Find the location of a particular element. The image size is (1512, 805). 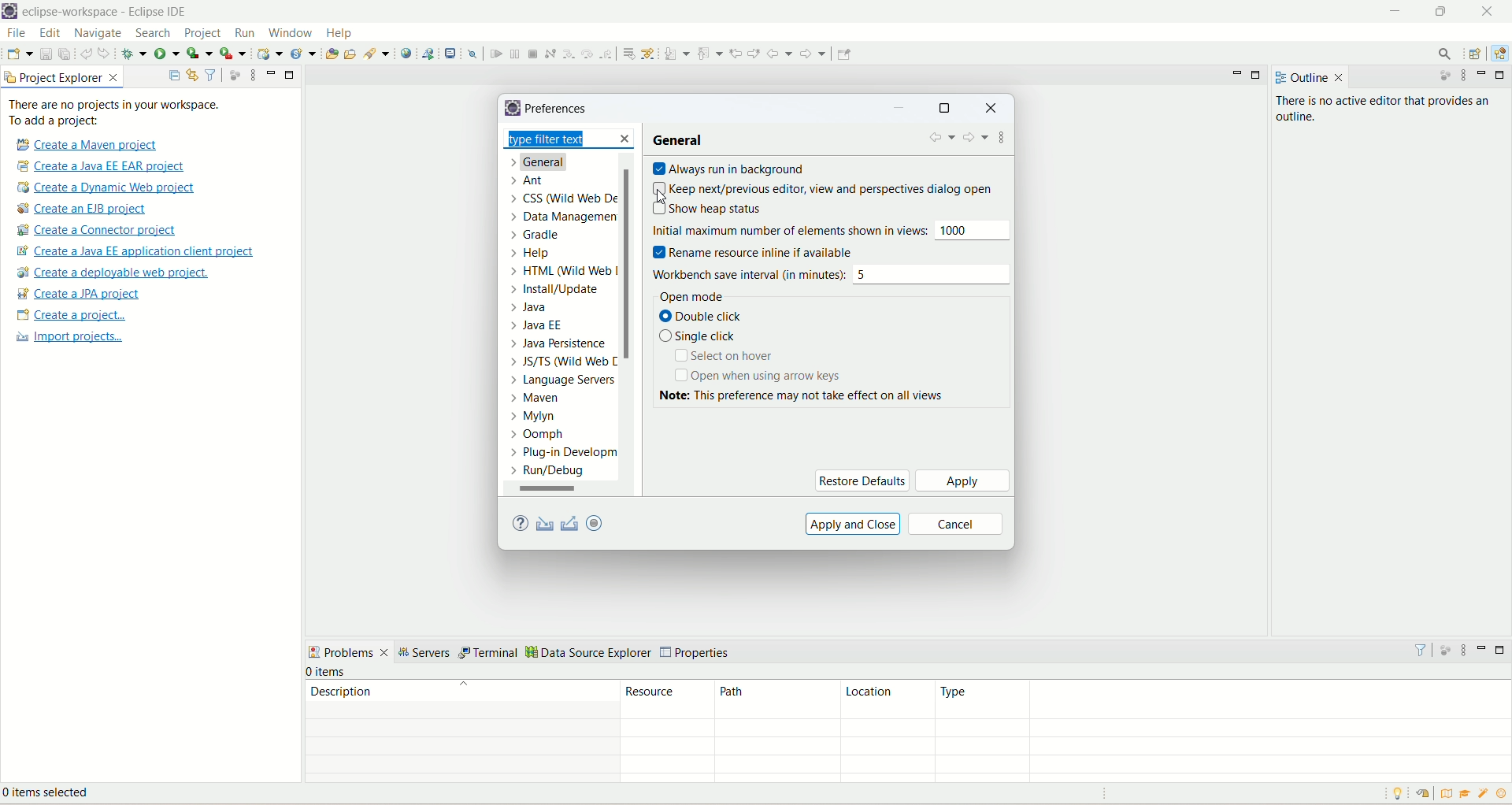

cursor is located at coordinates (658, 198).